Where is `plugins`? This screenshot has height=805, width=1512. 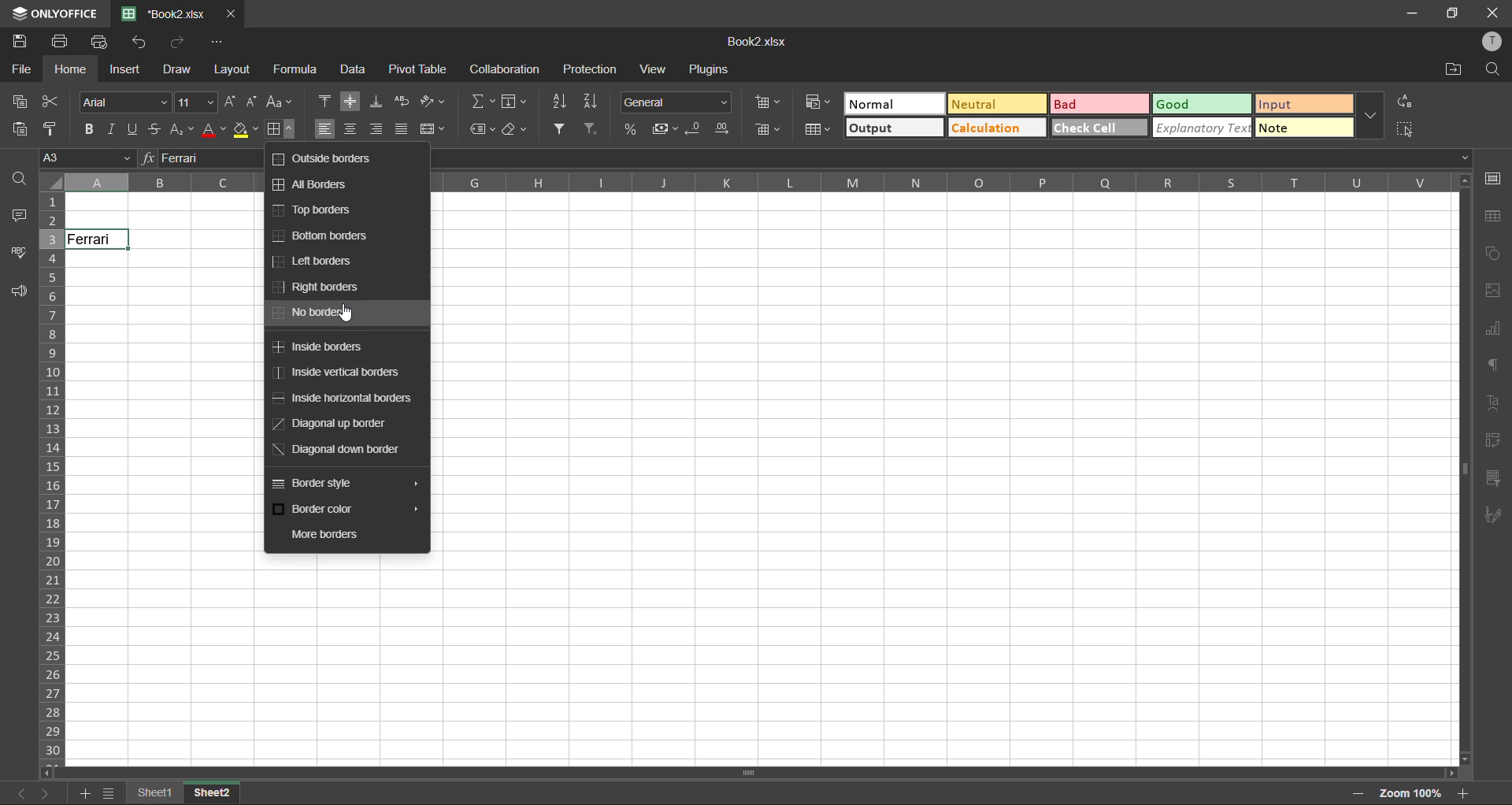
plugins is located at coordinates (711, 69).